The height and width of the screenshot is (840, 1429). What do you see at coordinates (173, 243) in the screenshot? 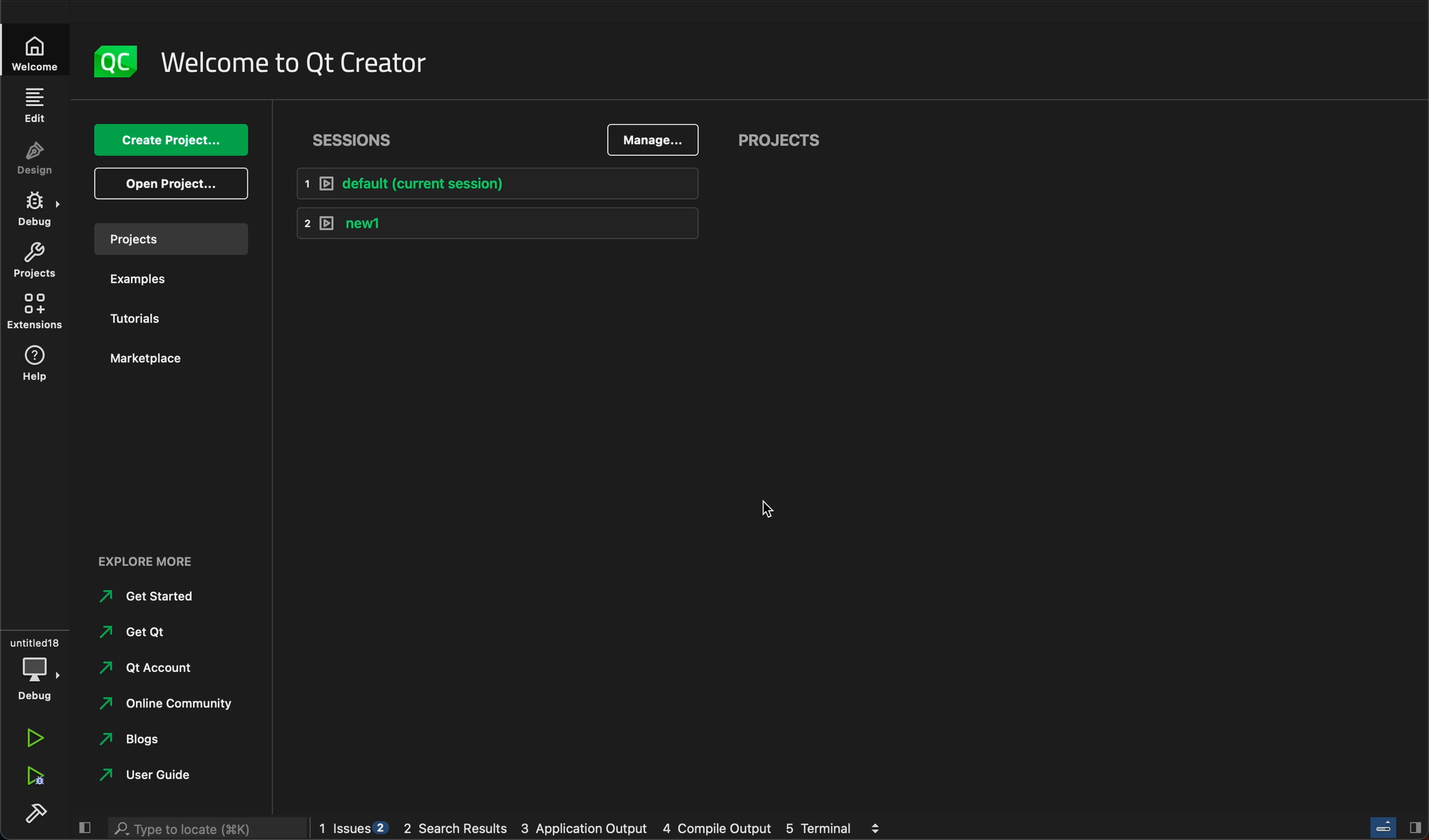
I see `project` at bounding box center [173, 243].